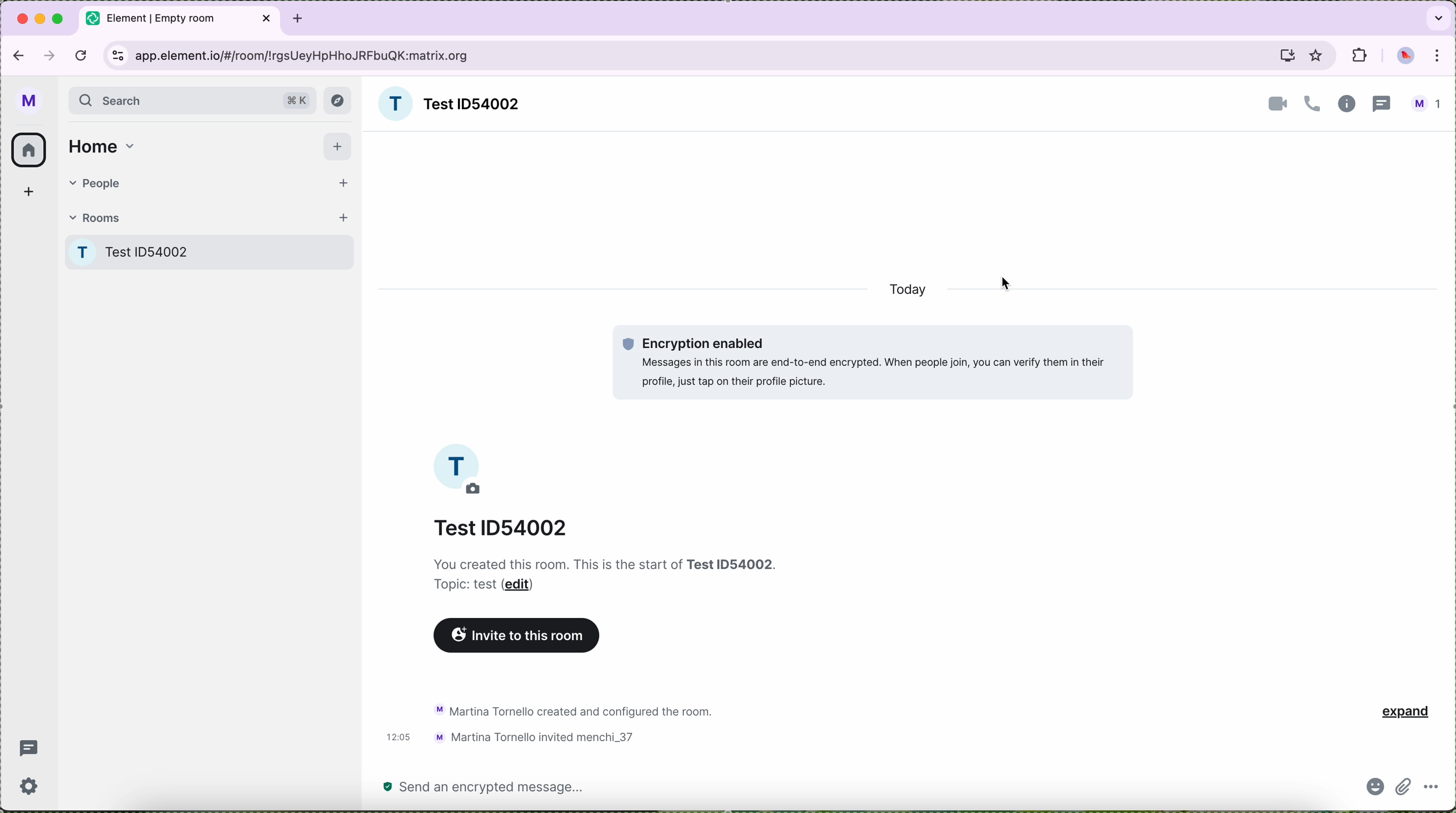 This screenshot has width=1456, height=813. I want to click on close Google Chrome, so click(23, 18).